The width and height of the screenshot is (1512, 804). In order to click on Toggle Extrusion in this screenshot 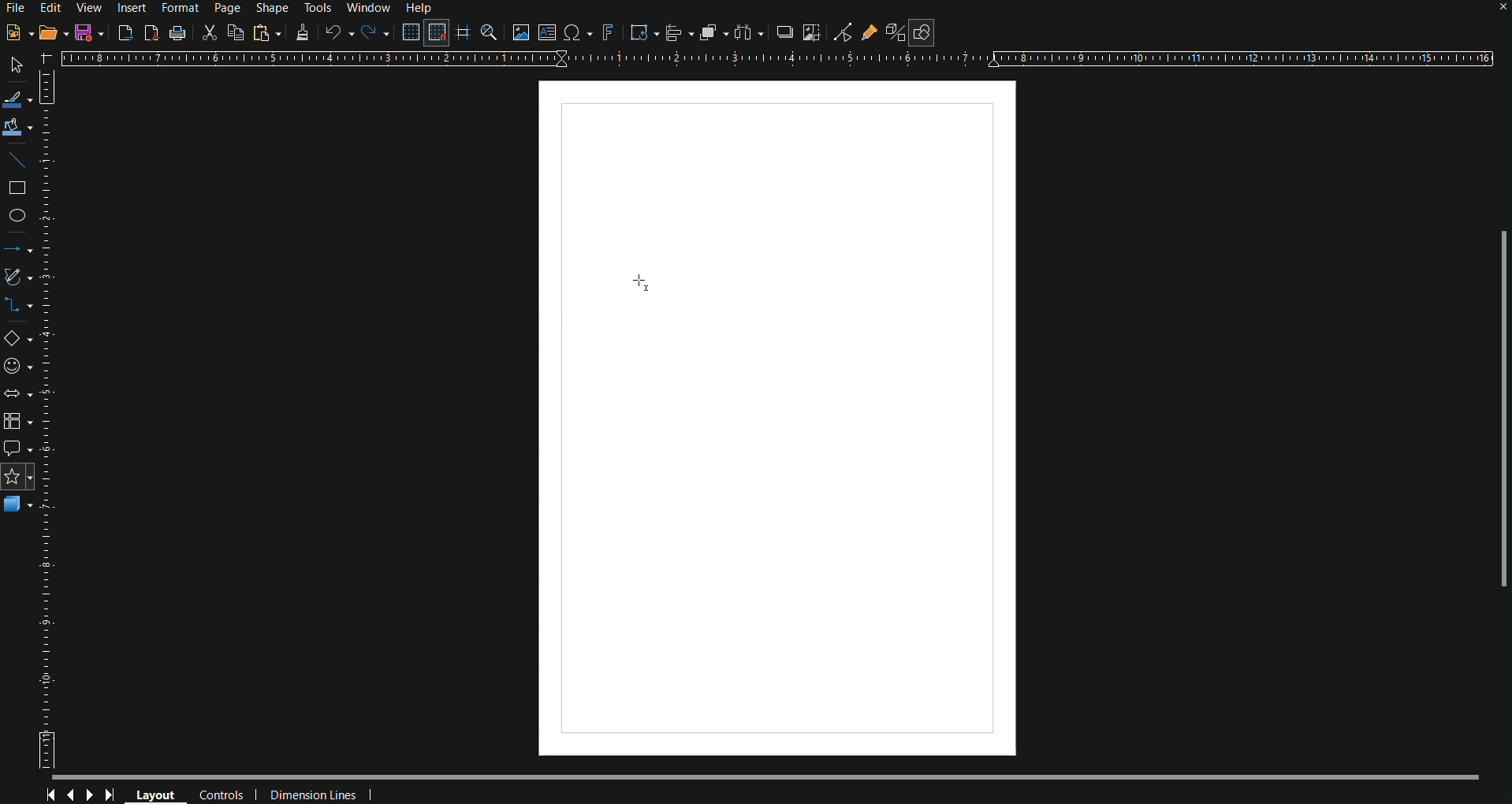, I will do `click(896, 32)`.